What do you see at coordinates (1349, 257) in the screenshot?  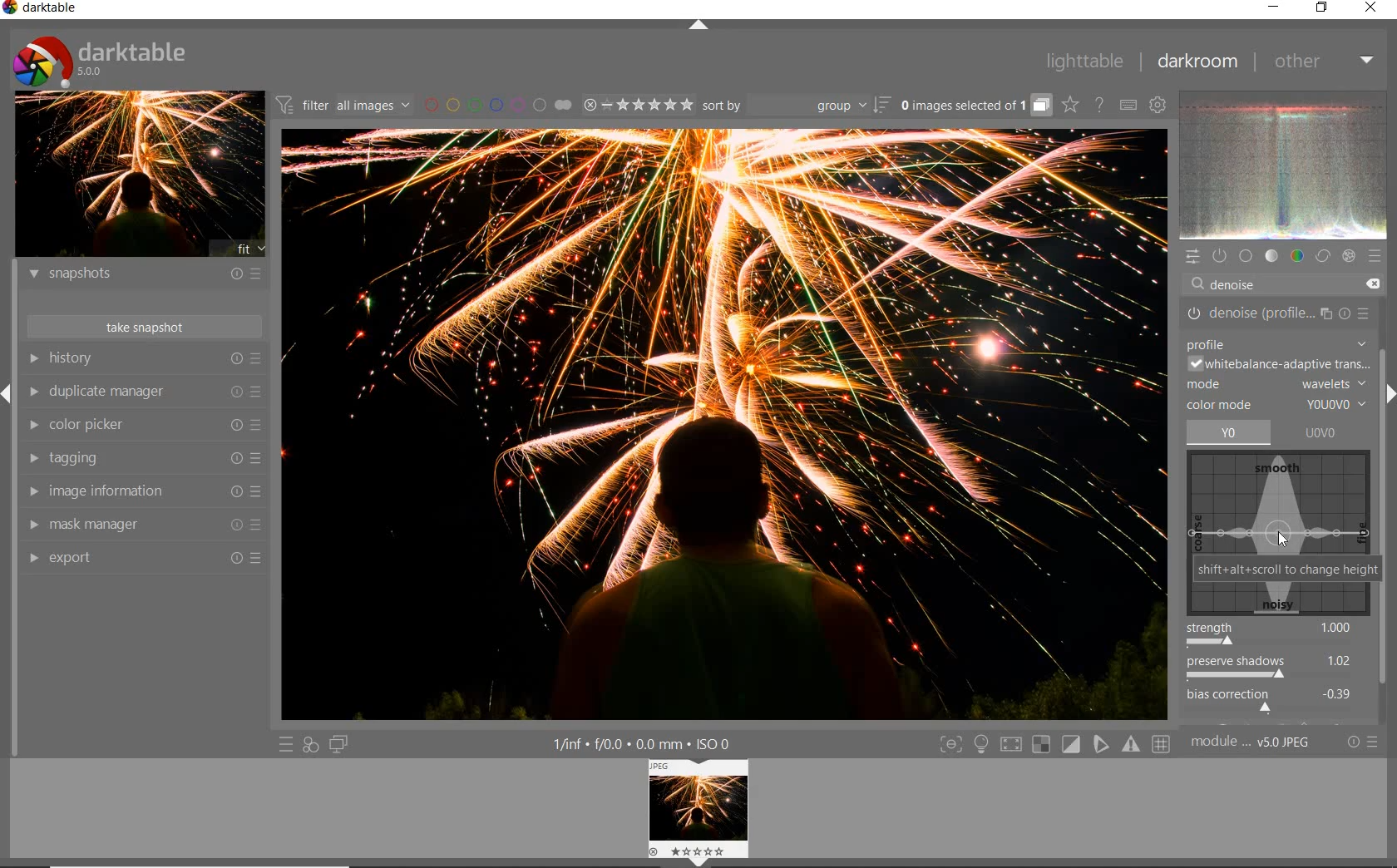 I see `effect` at bounding box center [1349, 257].